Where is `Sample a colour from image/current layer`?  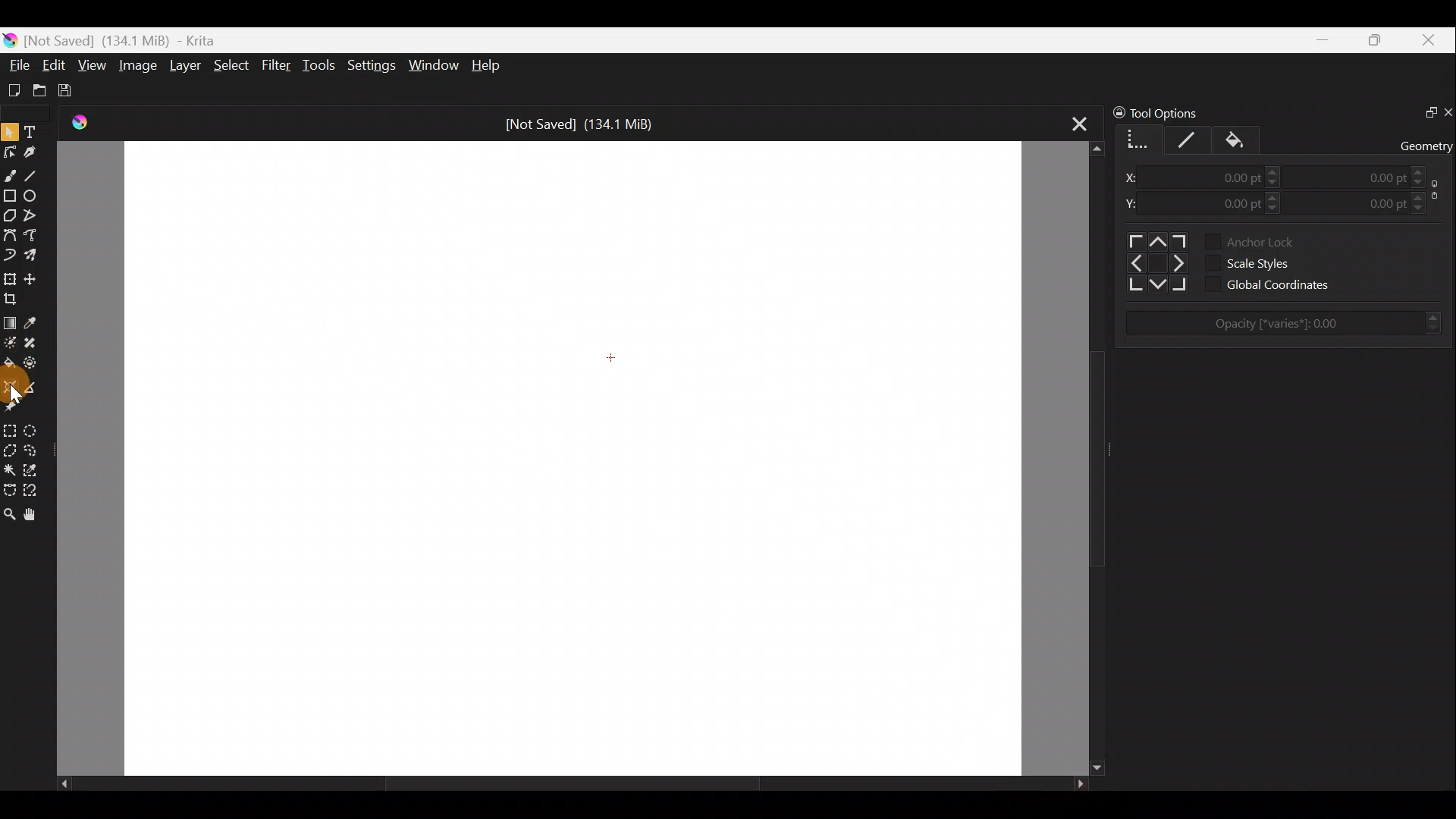
Sample a colour from image/current layer is located at coordinates (33, 320).